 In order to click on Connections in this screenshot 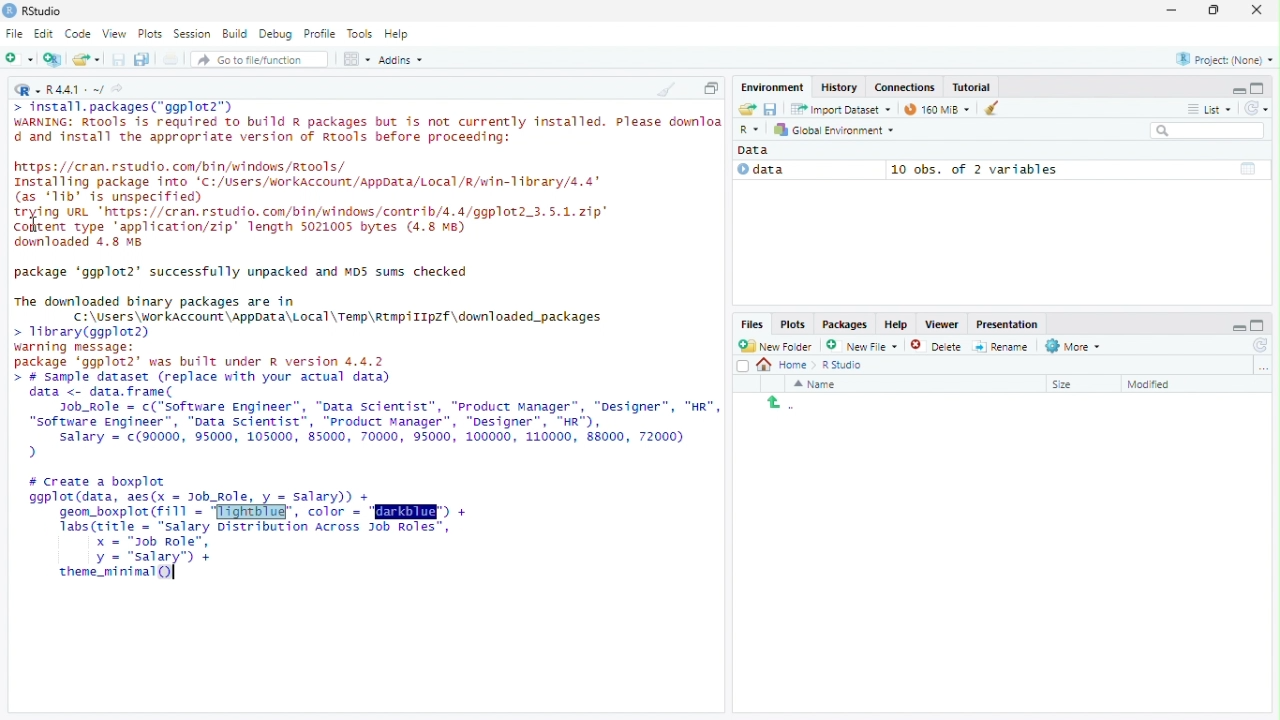, I will do `click(904, 87)`.